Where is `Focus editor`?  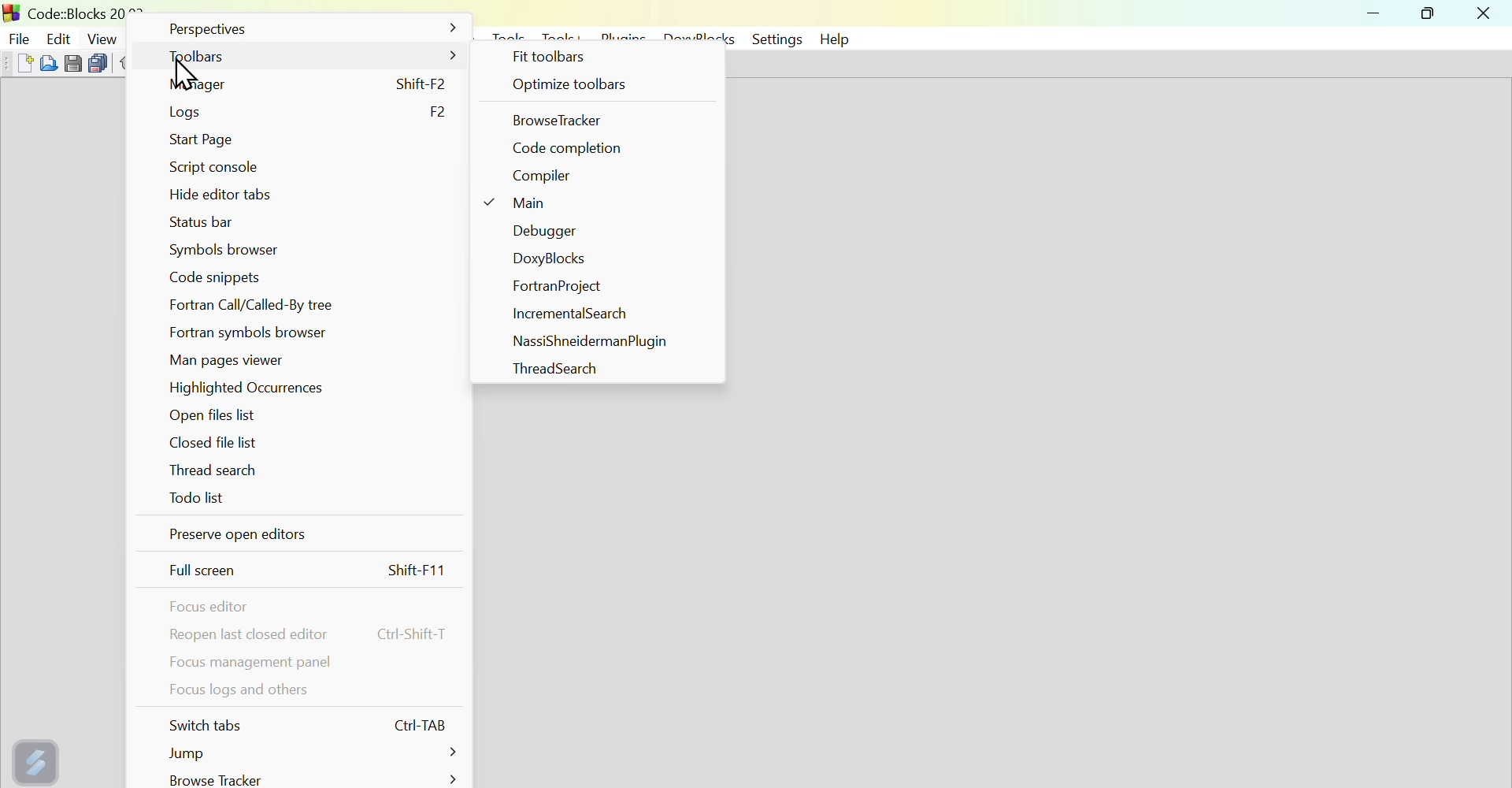 Focus editor is located at coordinates (213, 607).